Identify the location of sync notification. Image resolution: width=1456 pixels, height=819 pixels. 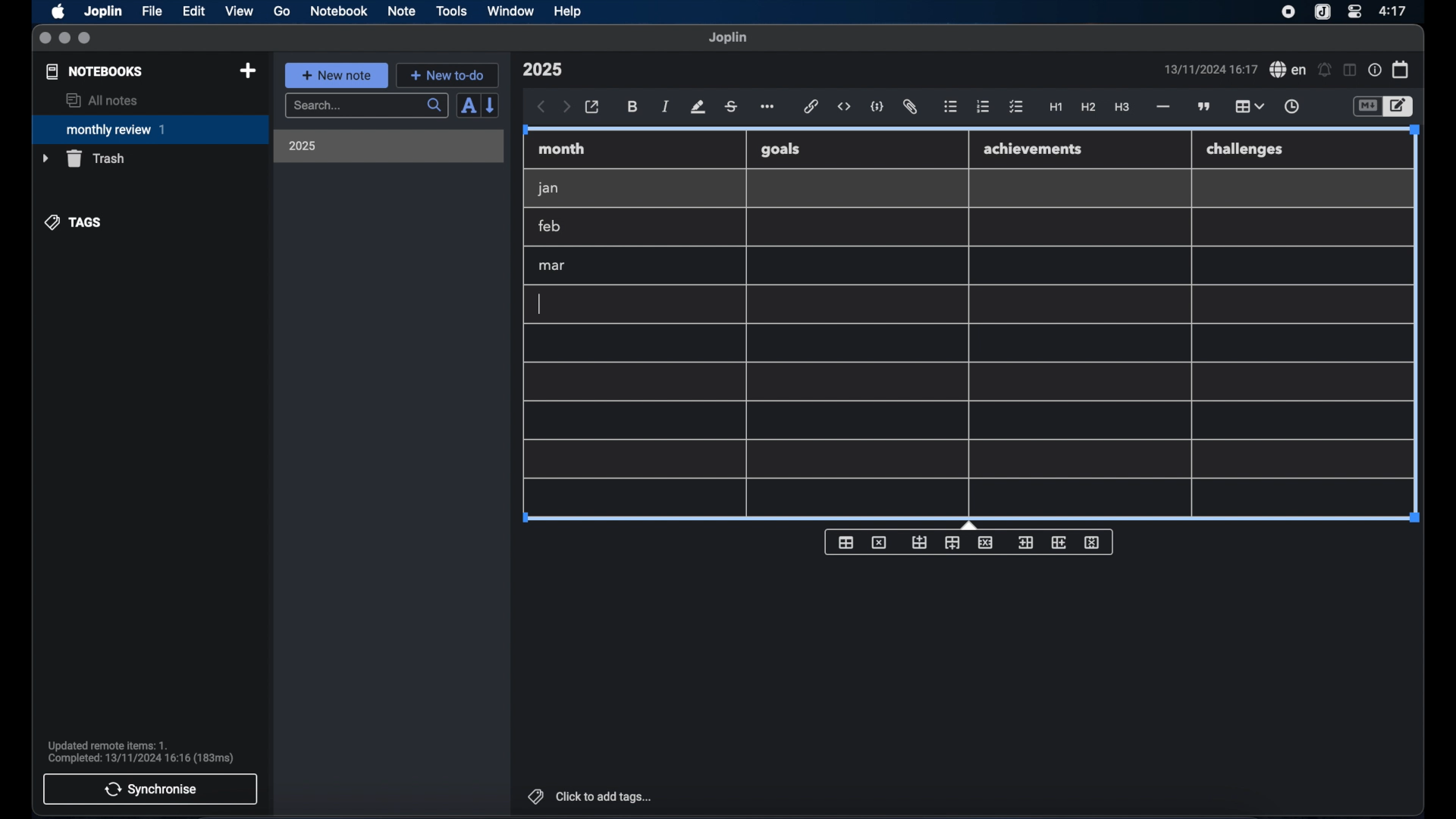
(141, 752).